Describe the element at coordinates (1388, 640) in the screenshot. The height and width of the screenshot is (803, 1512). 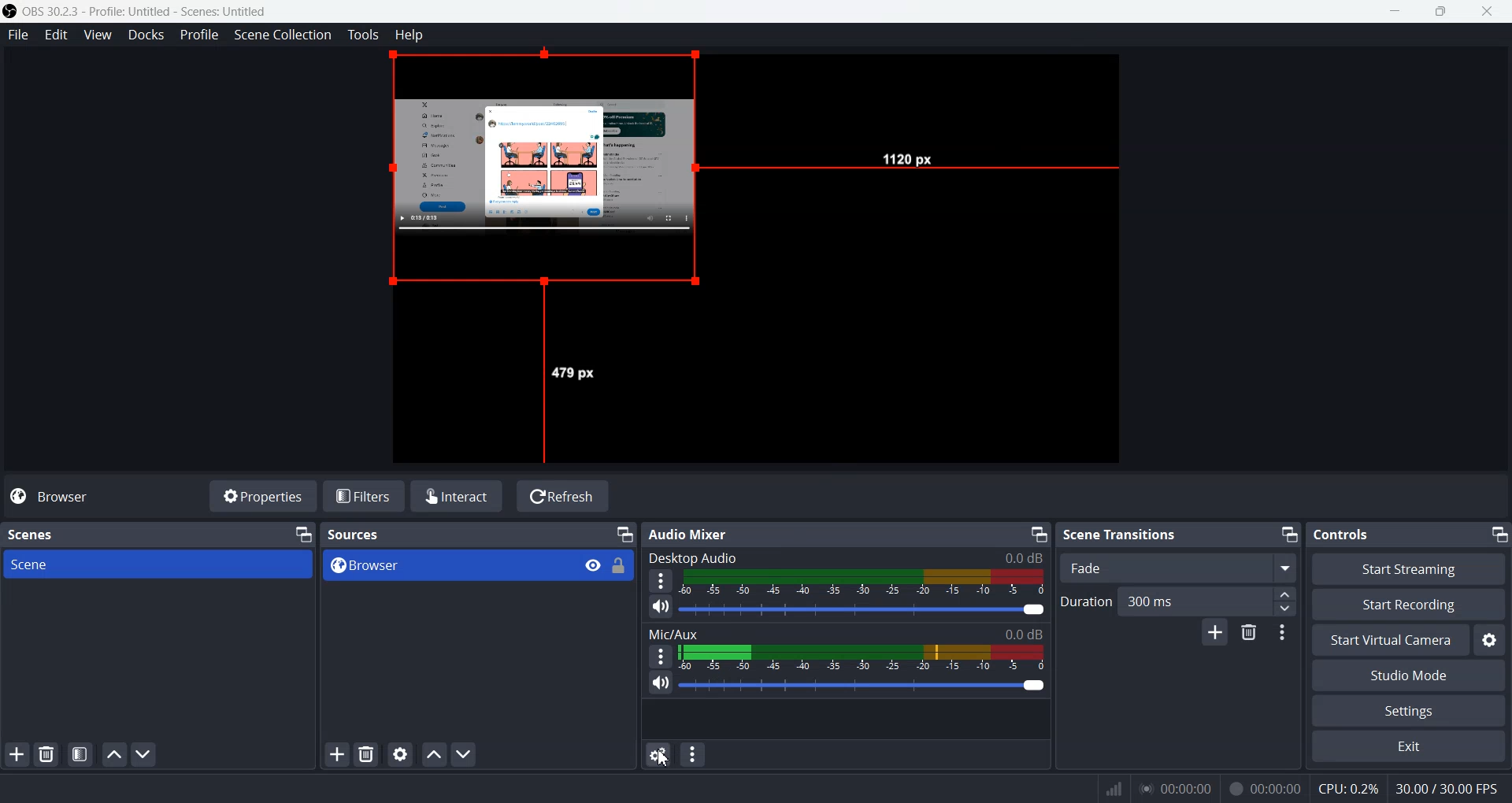
I see `Start Virtual Camera` at that location.